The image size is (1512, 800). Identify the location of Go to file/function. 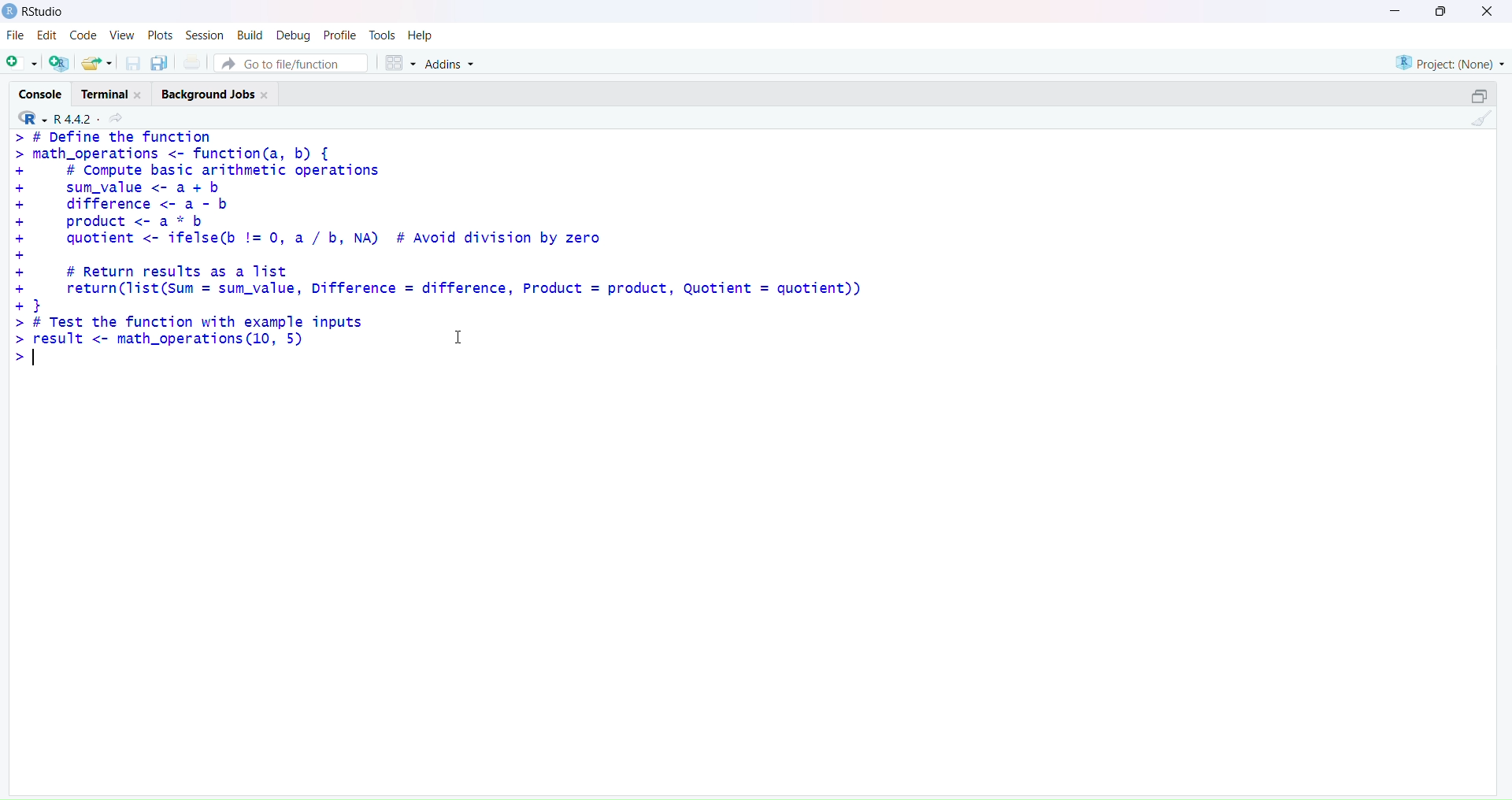
(292, 62).